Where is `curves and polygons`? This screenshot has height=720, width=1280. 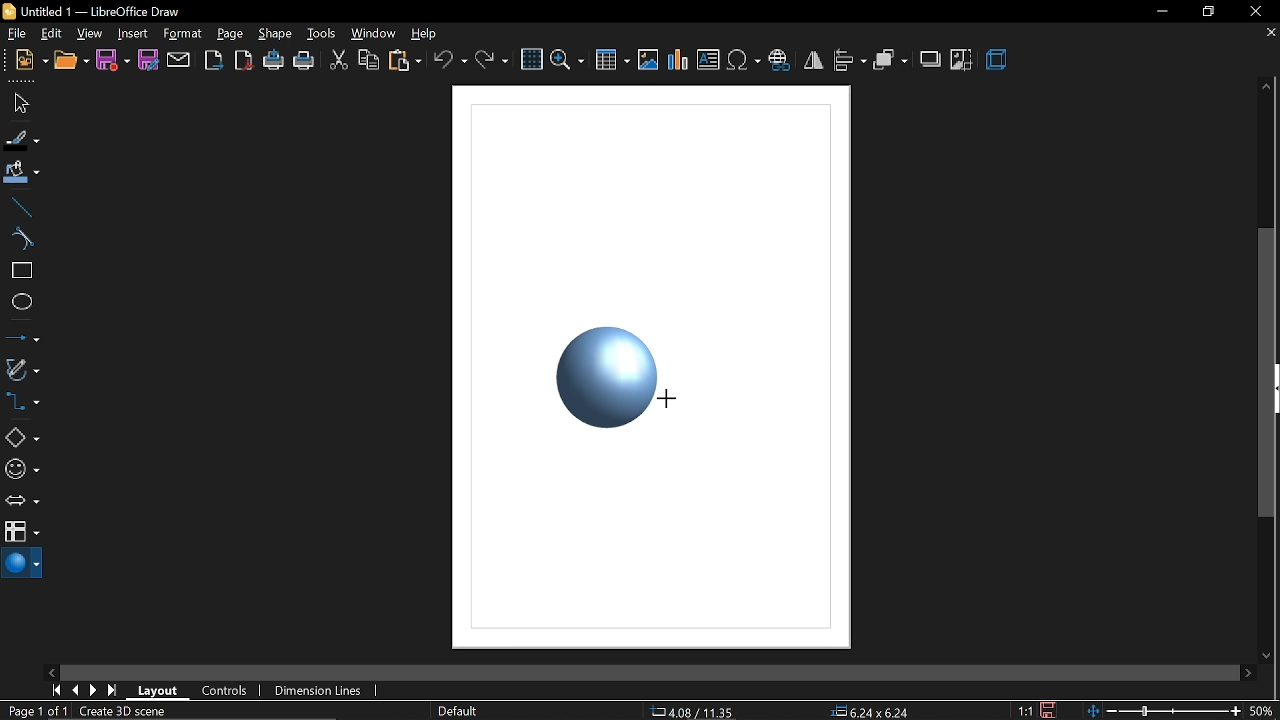
curves and polygons is located at coordinates (22, 367).